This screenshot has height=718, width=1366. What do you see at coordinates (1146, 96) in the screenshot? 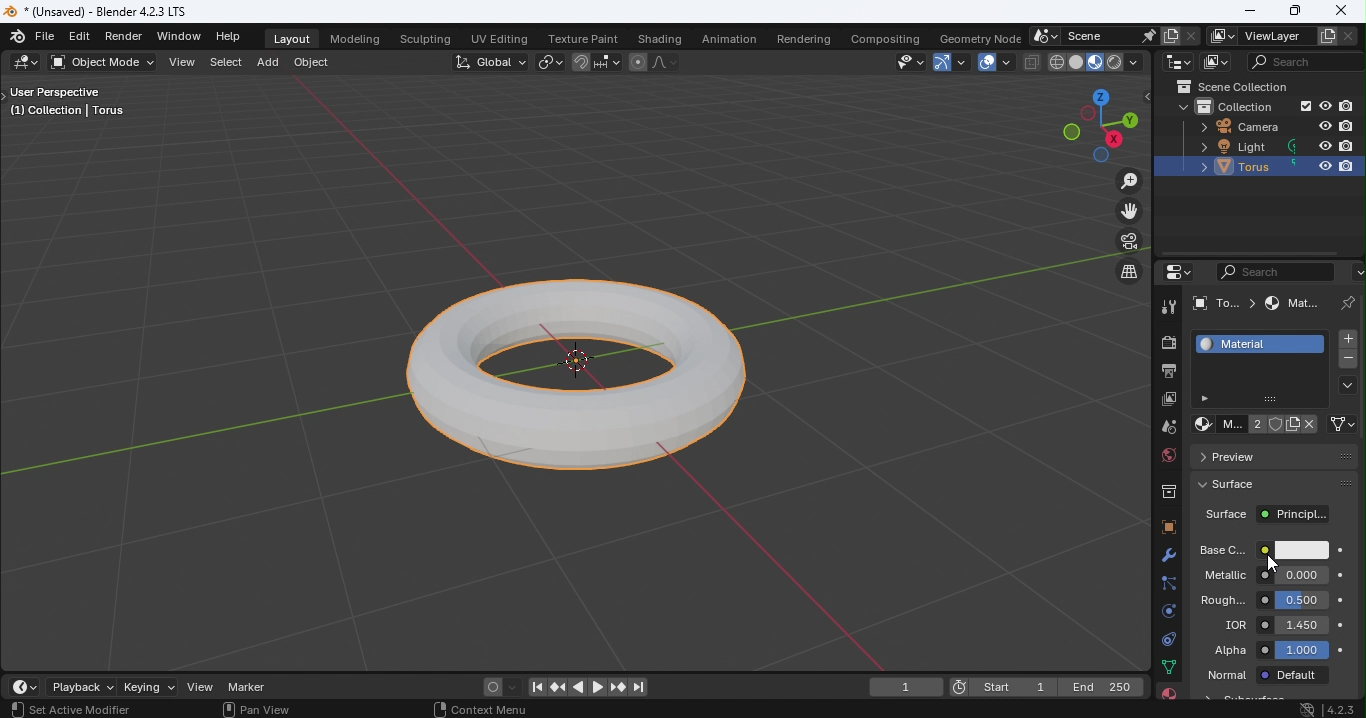
I see `Toggle tree view` at bounding box center [1146, 96].